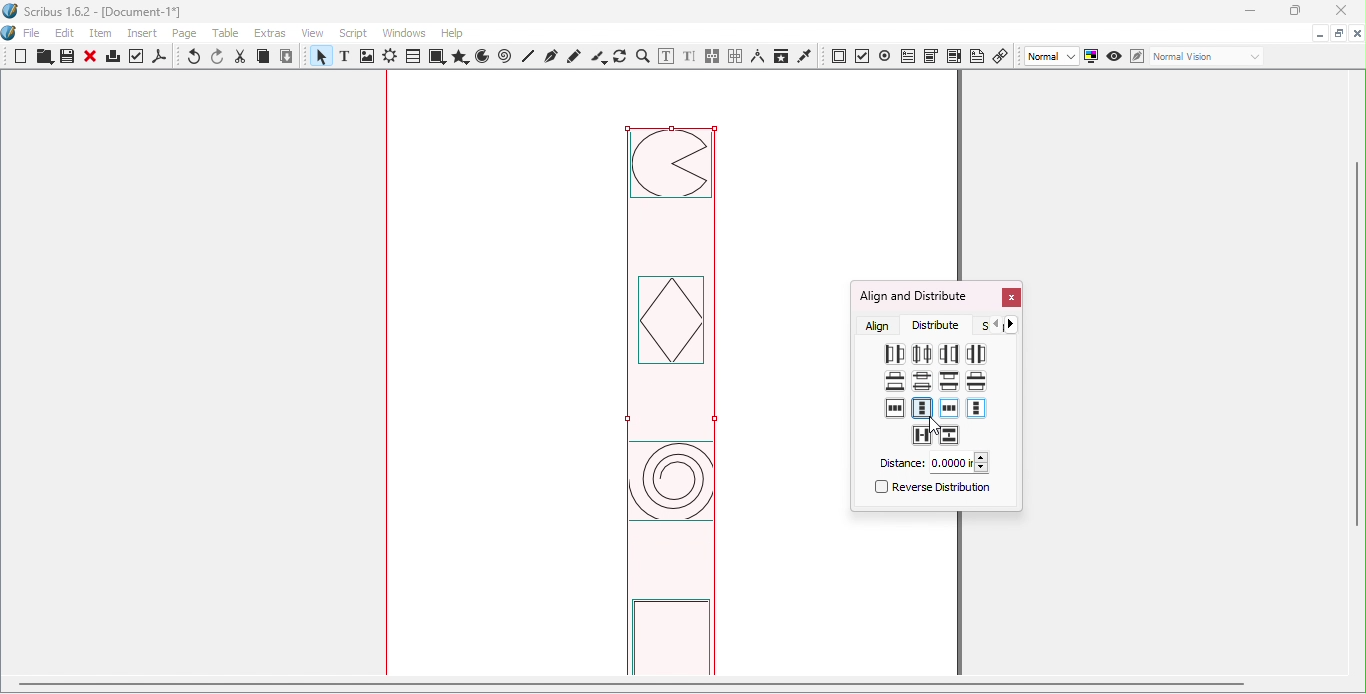  I want to click on Make horizontal gaps between and sides of page equal, so click(896, 408).